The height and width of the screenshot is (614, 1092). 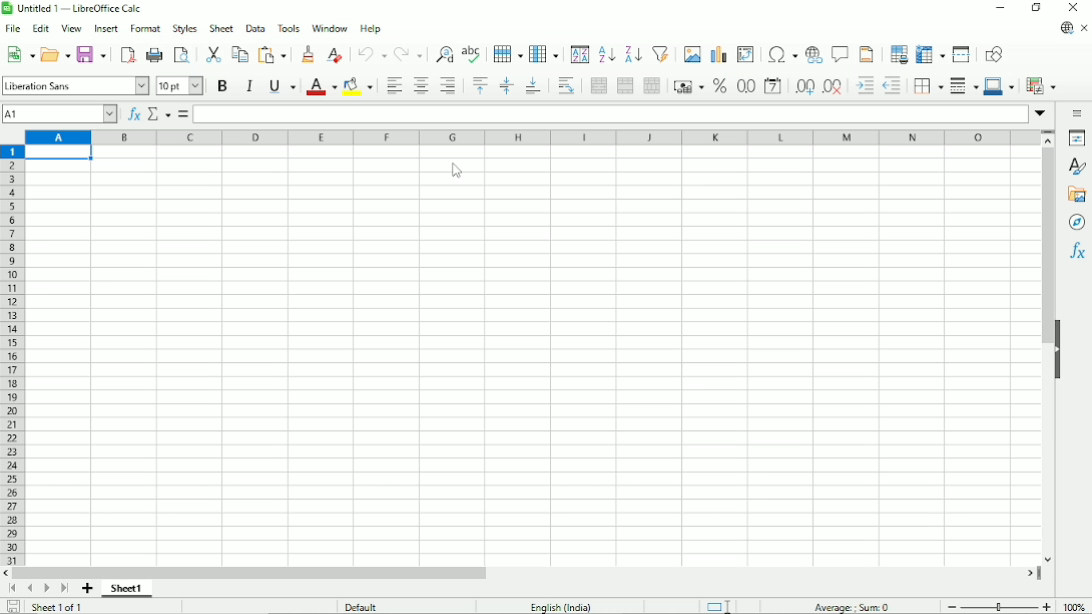 What do you see at coordinates (212, 53) in the screenshot?
I see `Cut` at bounding box center [212, 53].